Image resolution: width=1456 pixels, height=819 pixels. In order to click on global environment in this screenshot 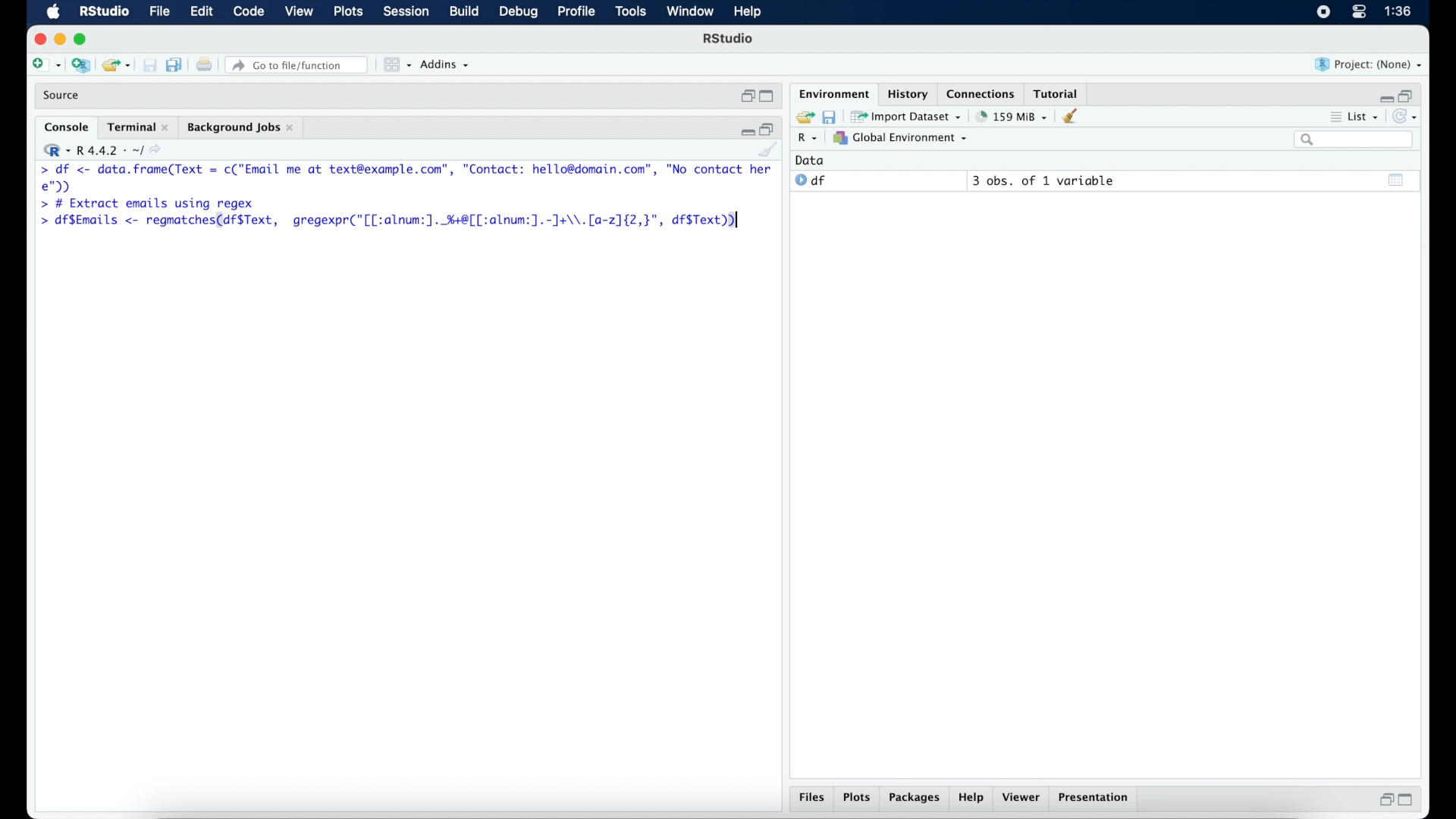, I will do `click(905, 139)`.